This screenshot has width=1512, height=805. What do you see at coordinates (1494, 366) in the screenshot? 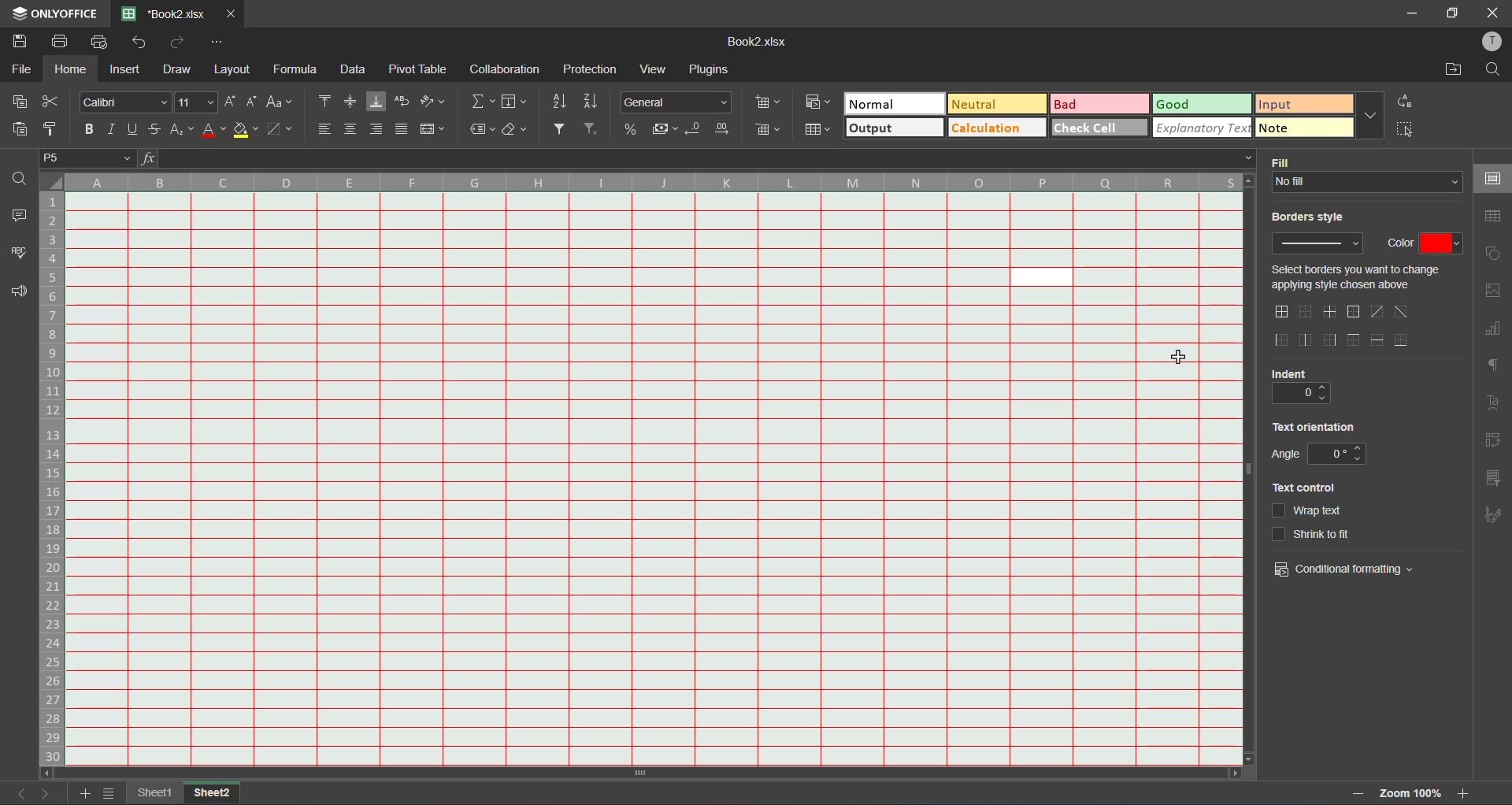
I see `paragraph` at bounding box center [1494, 366].